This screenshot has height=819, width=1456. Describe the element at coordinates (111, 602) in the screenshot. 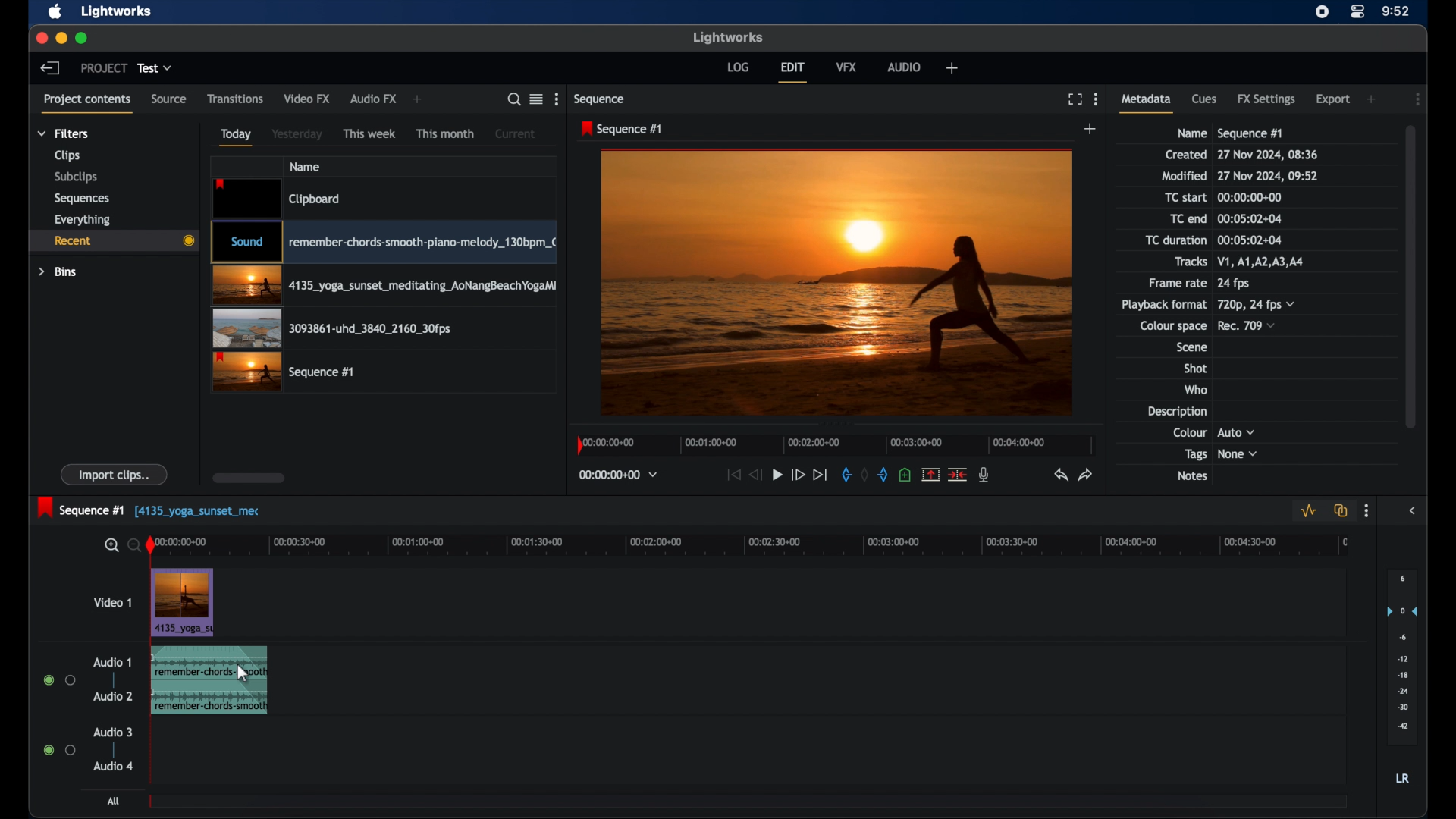

I see `video 1` at that location.